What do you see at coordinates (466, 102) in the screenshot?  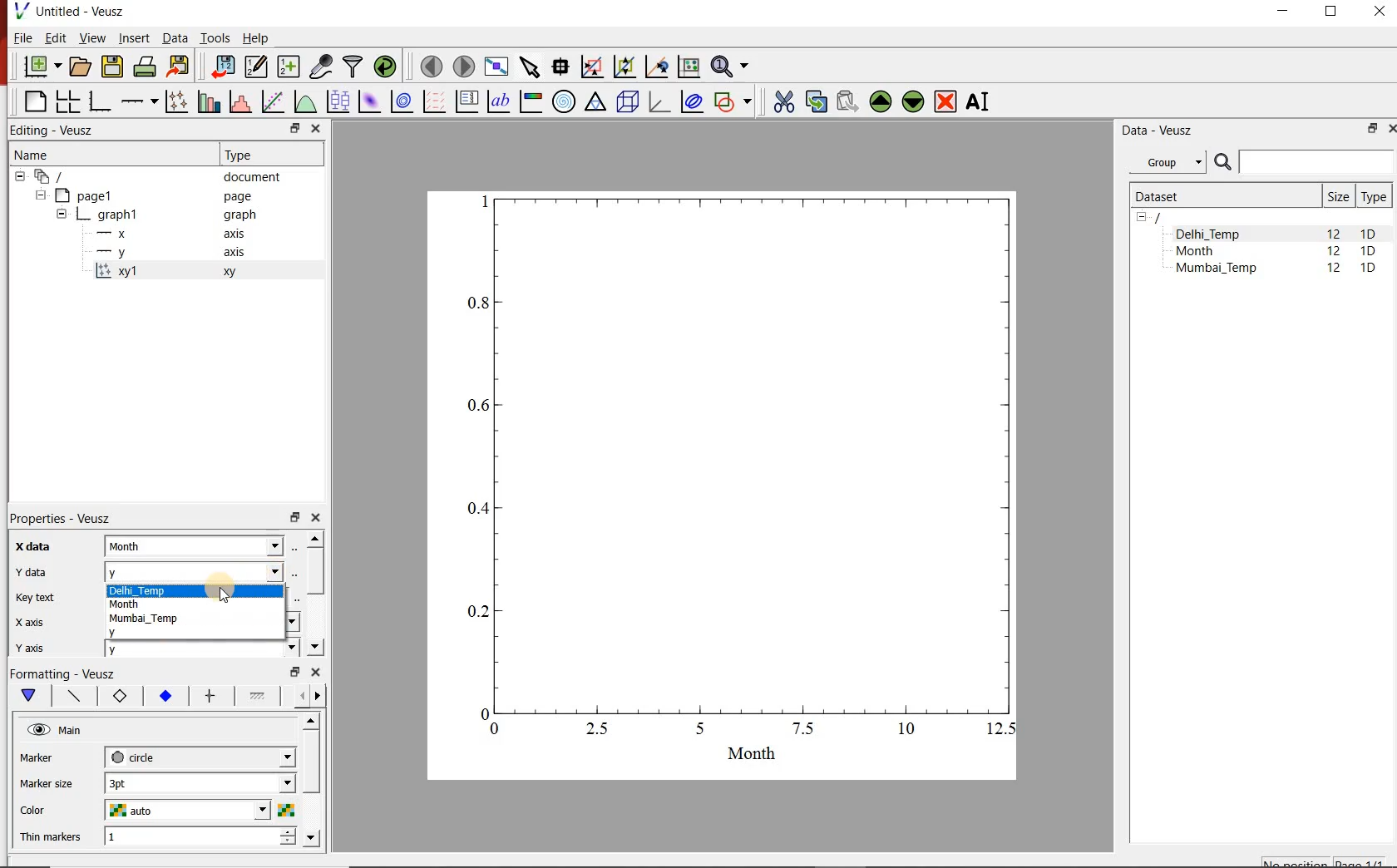 I see `plot key` at bounding box center [466, 102].